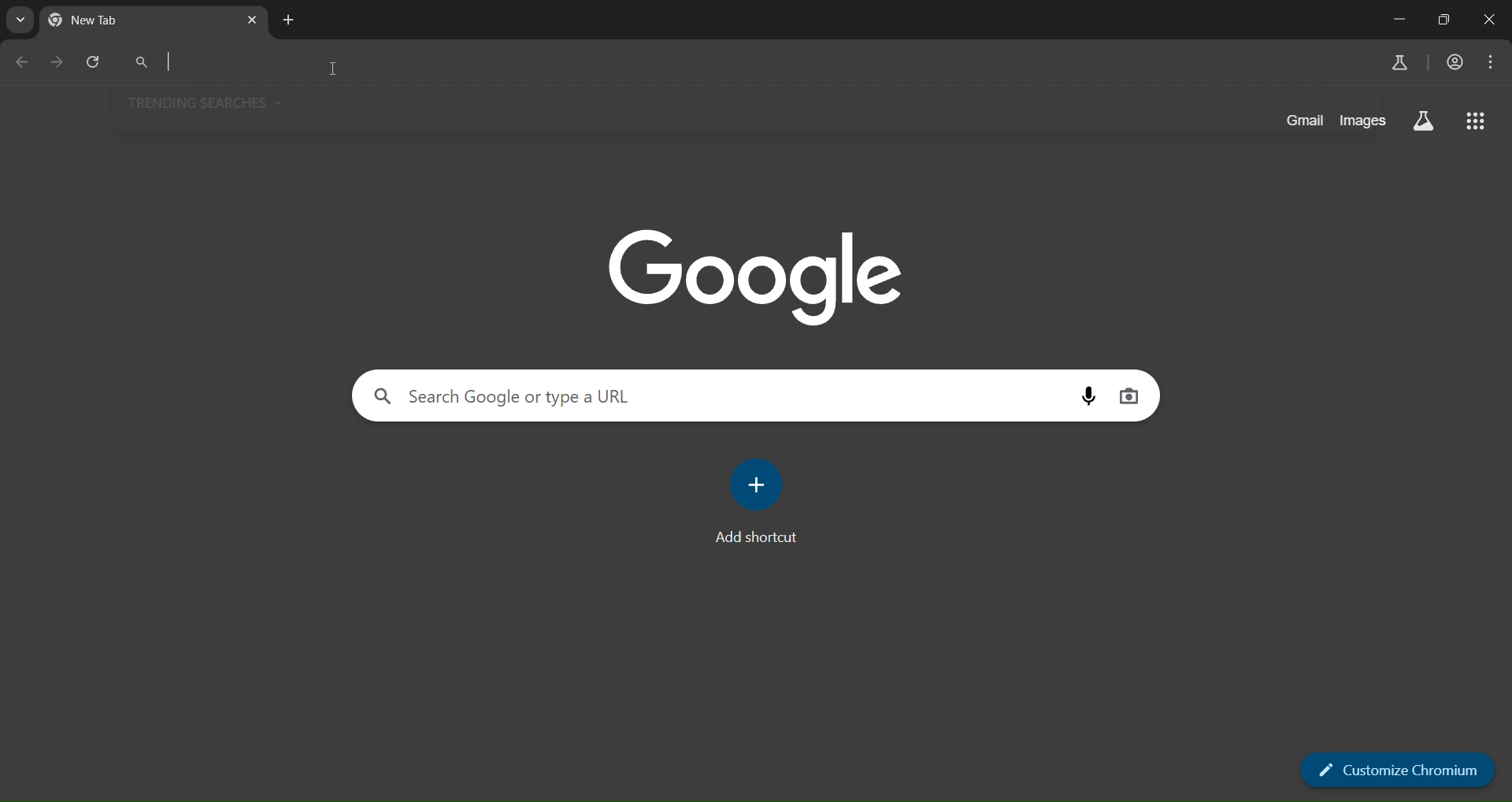 The width and height of the screenshot is (1512, 802). Describe the element at coordinates (1492, 22) in the screenshot. I see `close` at that location.